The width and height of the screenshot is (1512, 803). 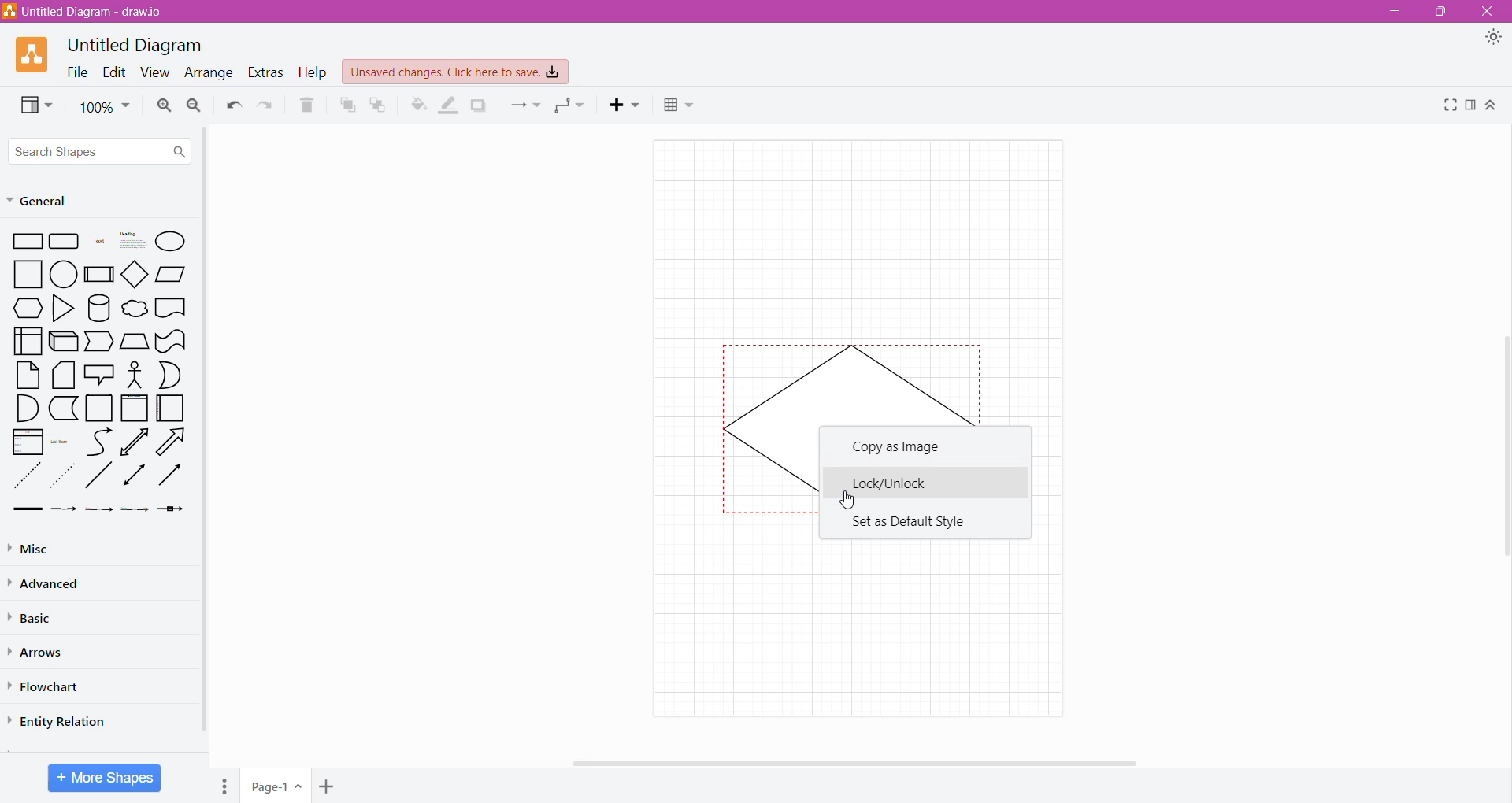 I want to click on To Back, so click(x=379, y=105).